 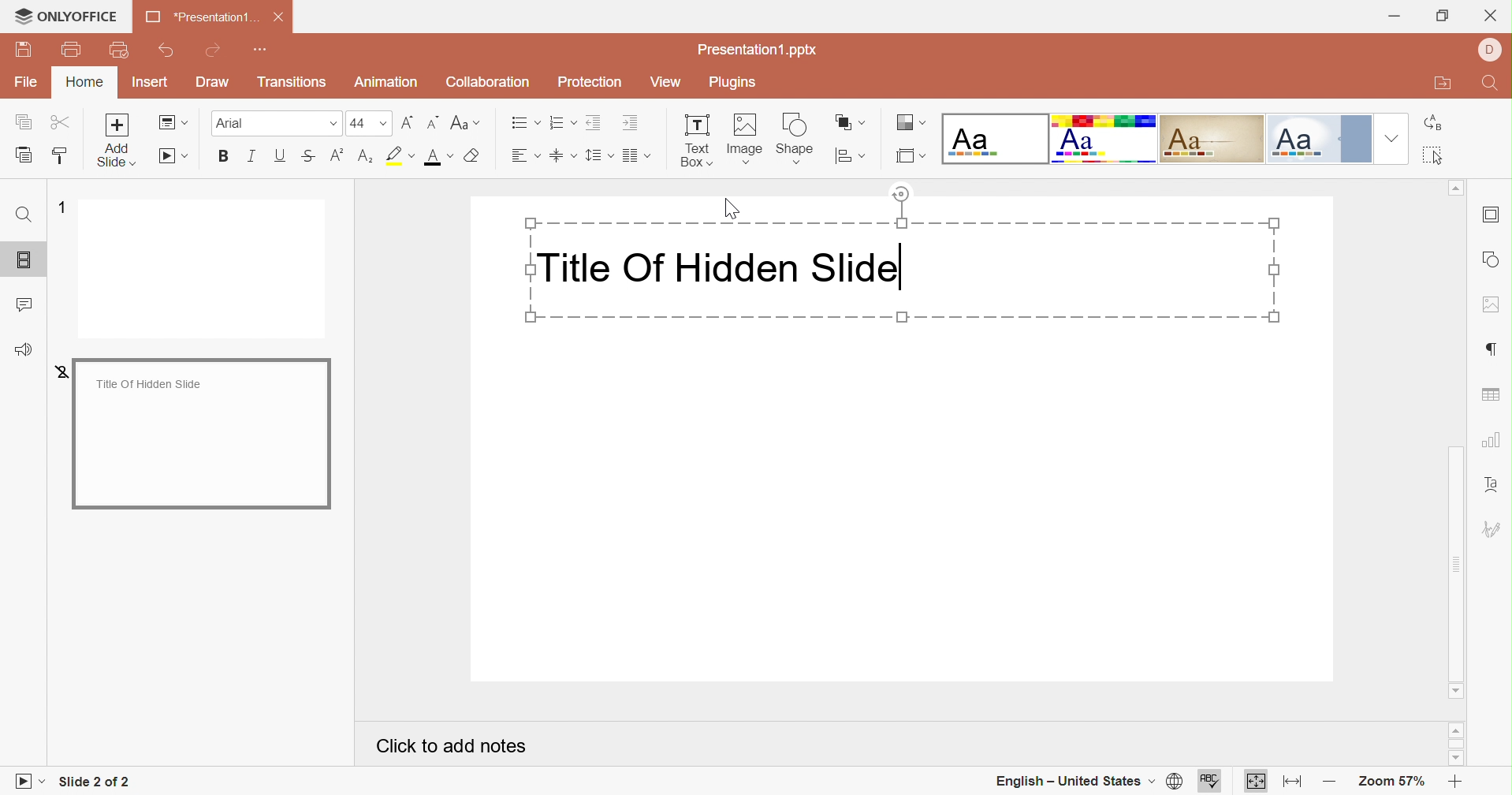 I want to click on Drop down, so click(x=1393, y=139).